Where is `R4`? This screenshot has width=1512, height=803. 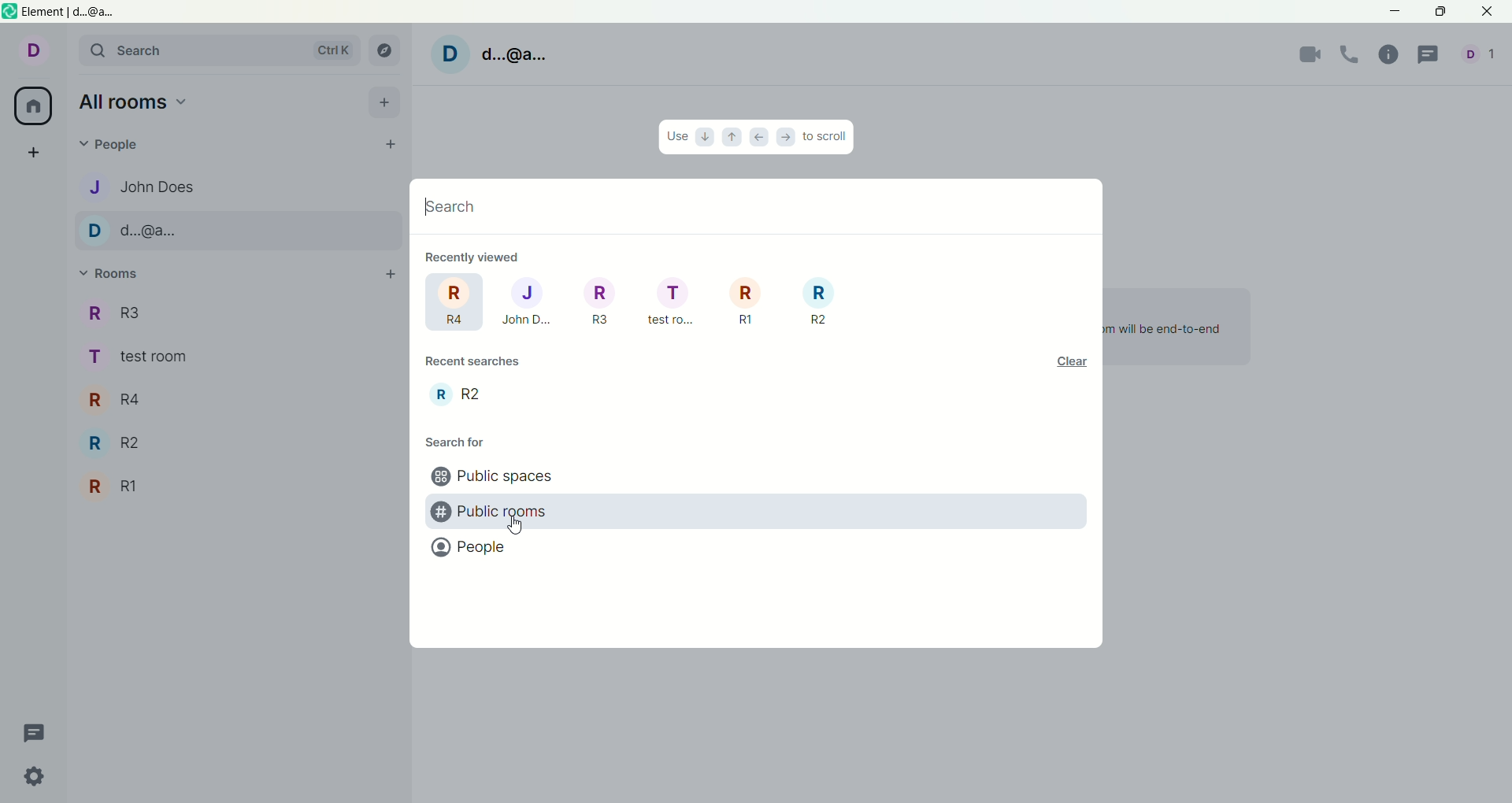
R4 is located at coordinates (239, 398).